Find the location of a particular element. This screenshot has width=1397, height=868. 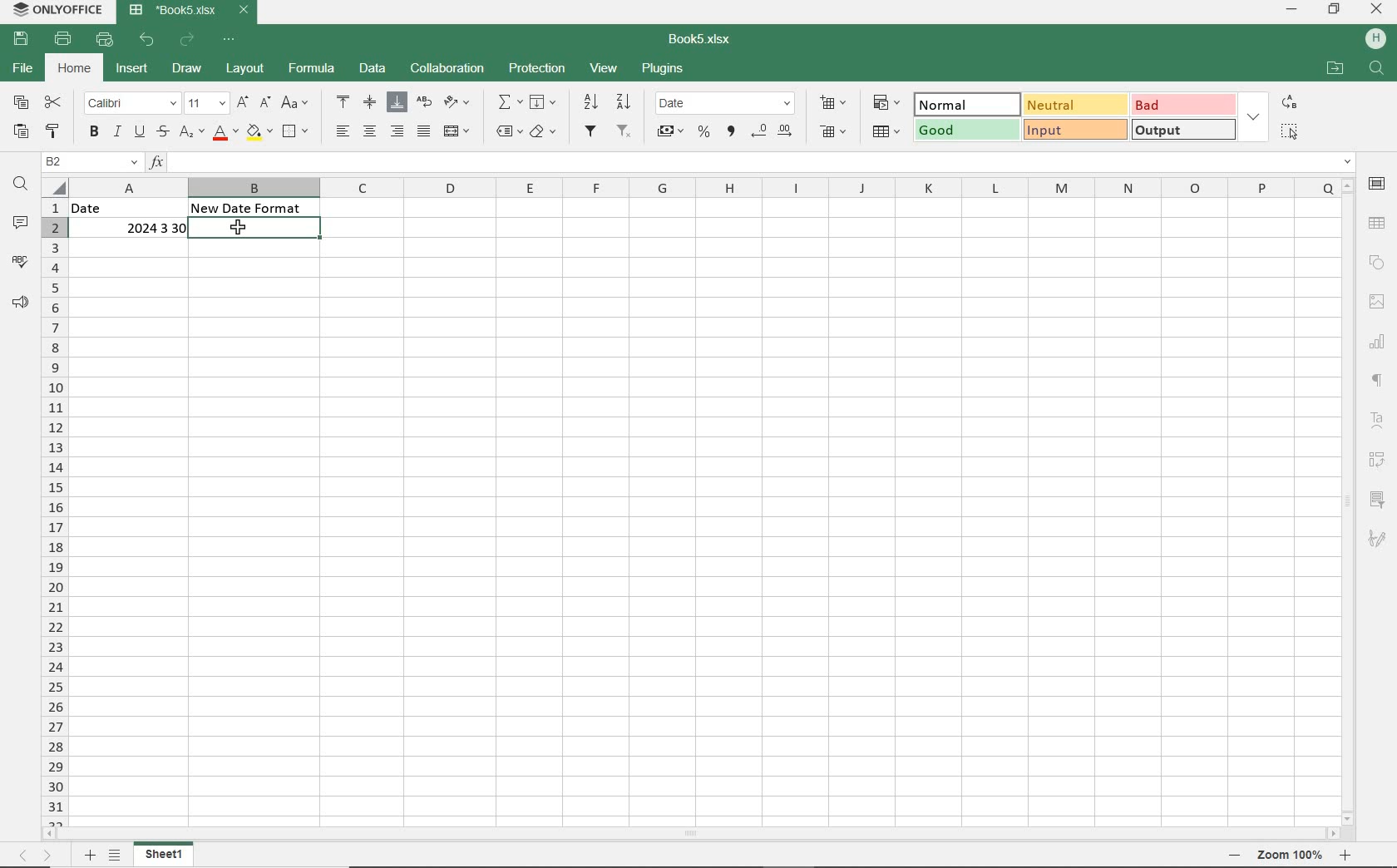

IMAGE is located at coordinates (1377, 302).